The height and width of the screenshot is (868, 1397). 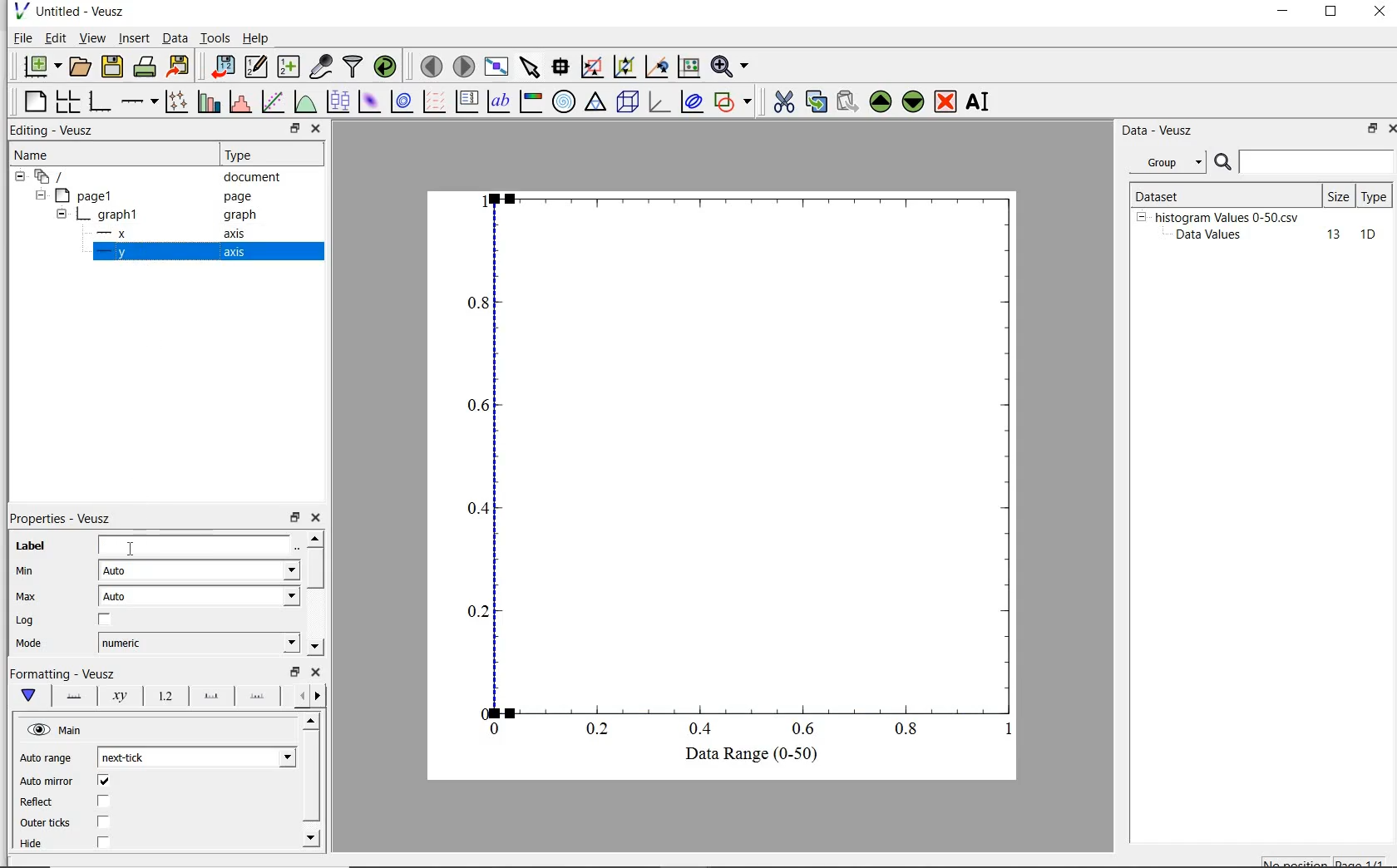 What do you see at coordinates (101, 101) in the screenshot?
I see `base graph` at bounding box center [101, 101].